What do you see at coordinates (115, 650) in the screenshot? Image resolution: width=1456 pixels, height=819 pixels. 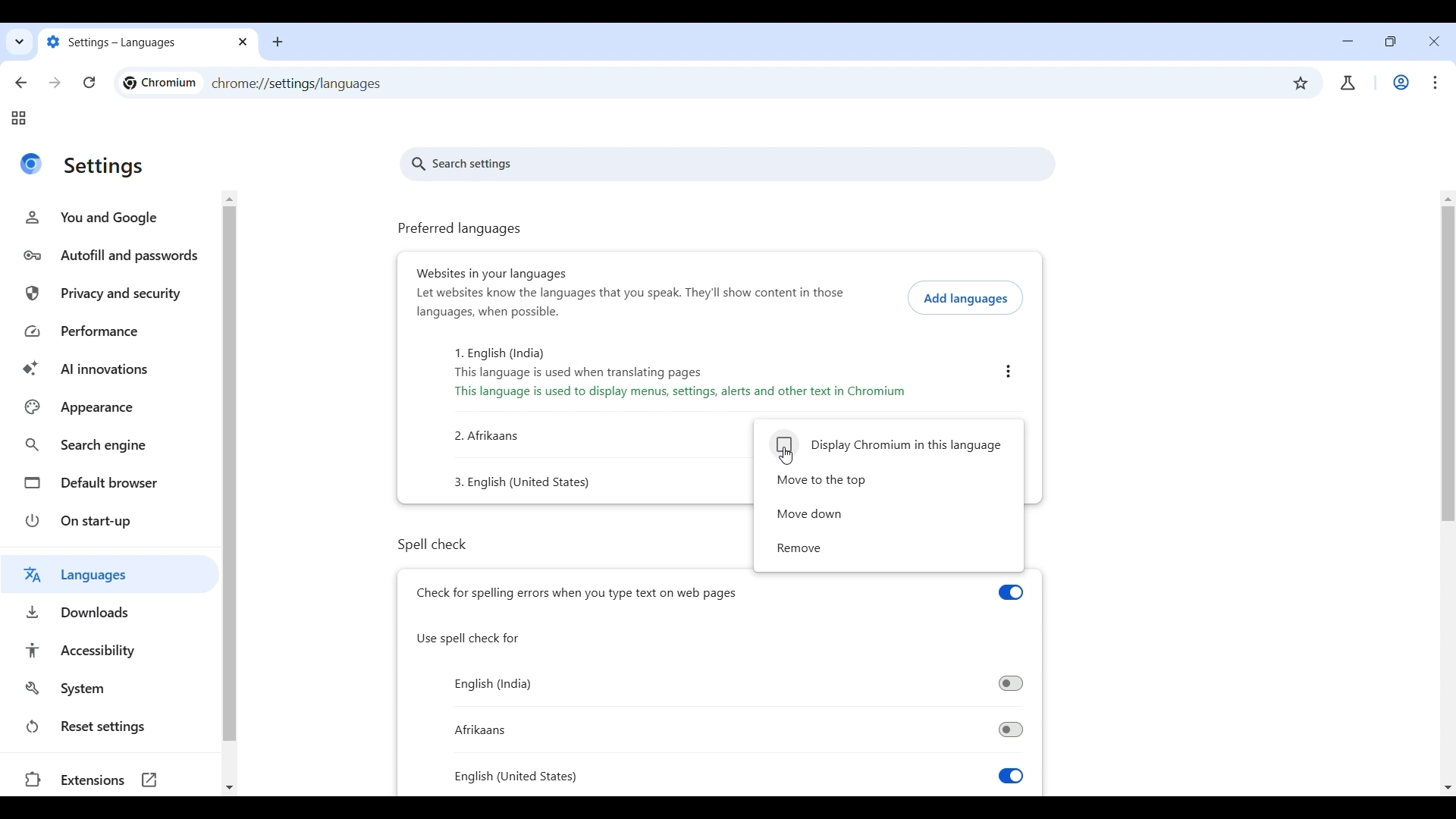 I see `Accessibility` at bounding box center [115, 650].